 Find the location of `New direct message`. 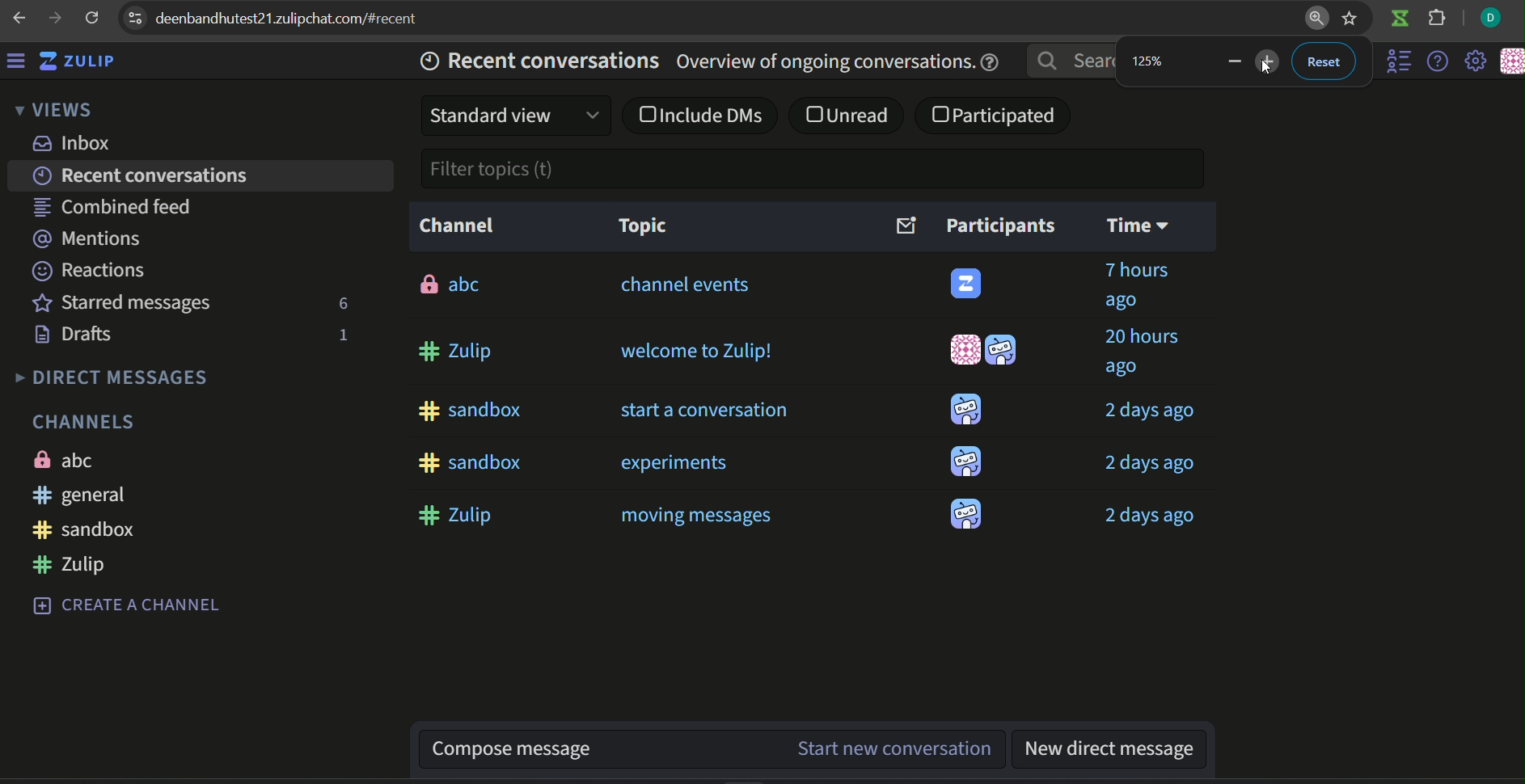

New direct message is located at coordinates (1109, 750).